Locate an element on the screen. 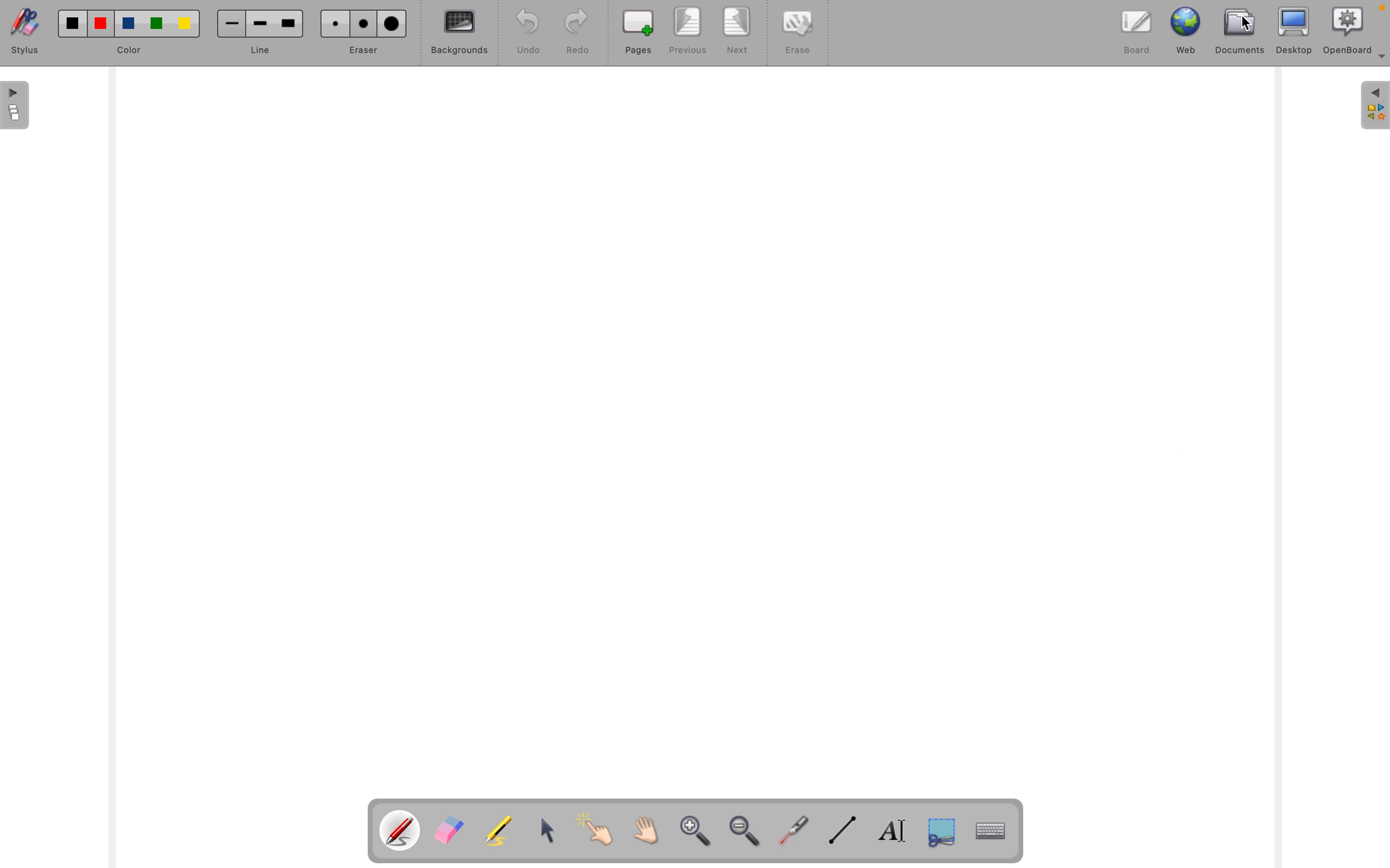  display virtual keyboard is located at coordinates (1001, 831).